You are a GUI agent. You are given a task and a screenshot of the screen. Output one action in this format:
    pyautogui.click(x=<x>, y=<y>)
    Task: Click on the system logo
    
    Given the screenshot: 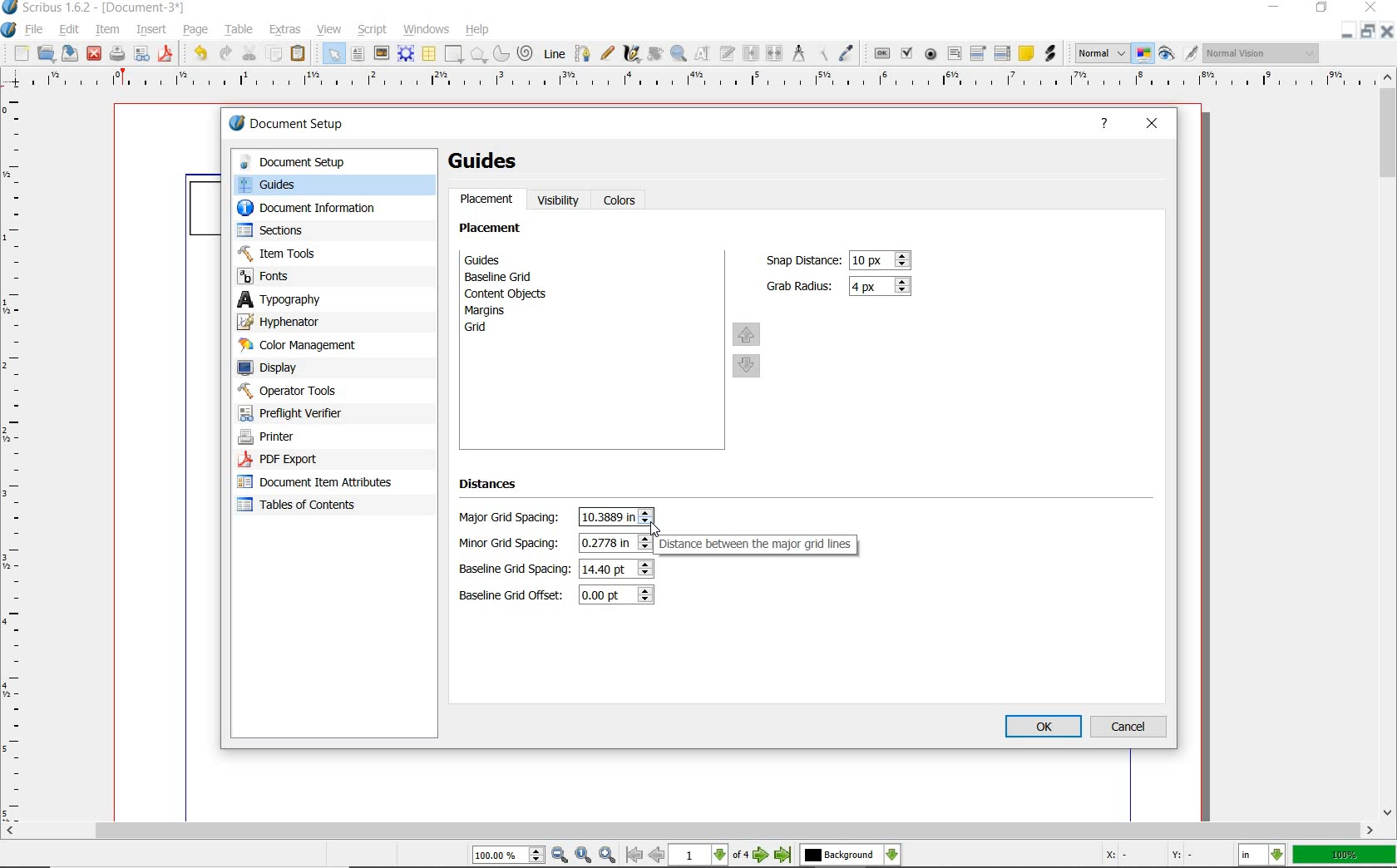 What is the action you would take?
    pyautogui.click(x=9, y=31)
    